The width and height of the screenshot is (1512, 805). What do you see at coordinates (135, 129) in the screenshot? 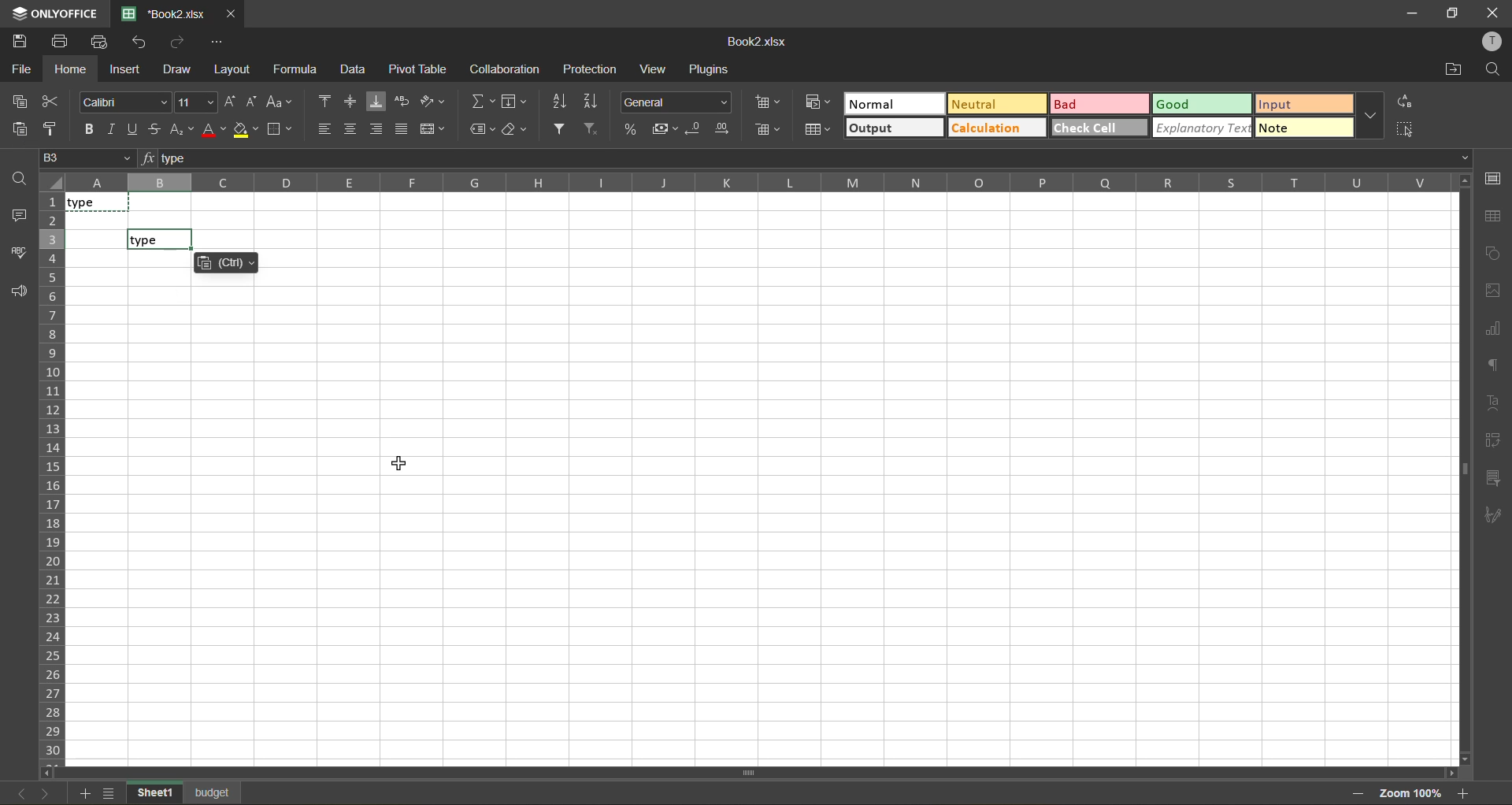
I see `underline` at bounding box center [135, 129].